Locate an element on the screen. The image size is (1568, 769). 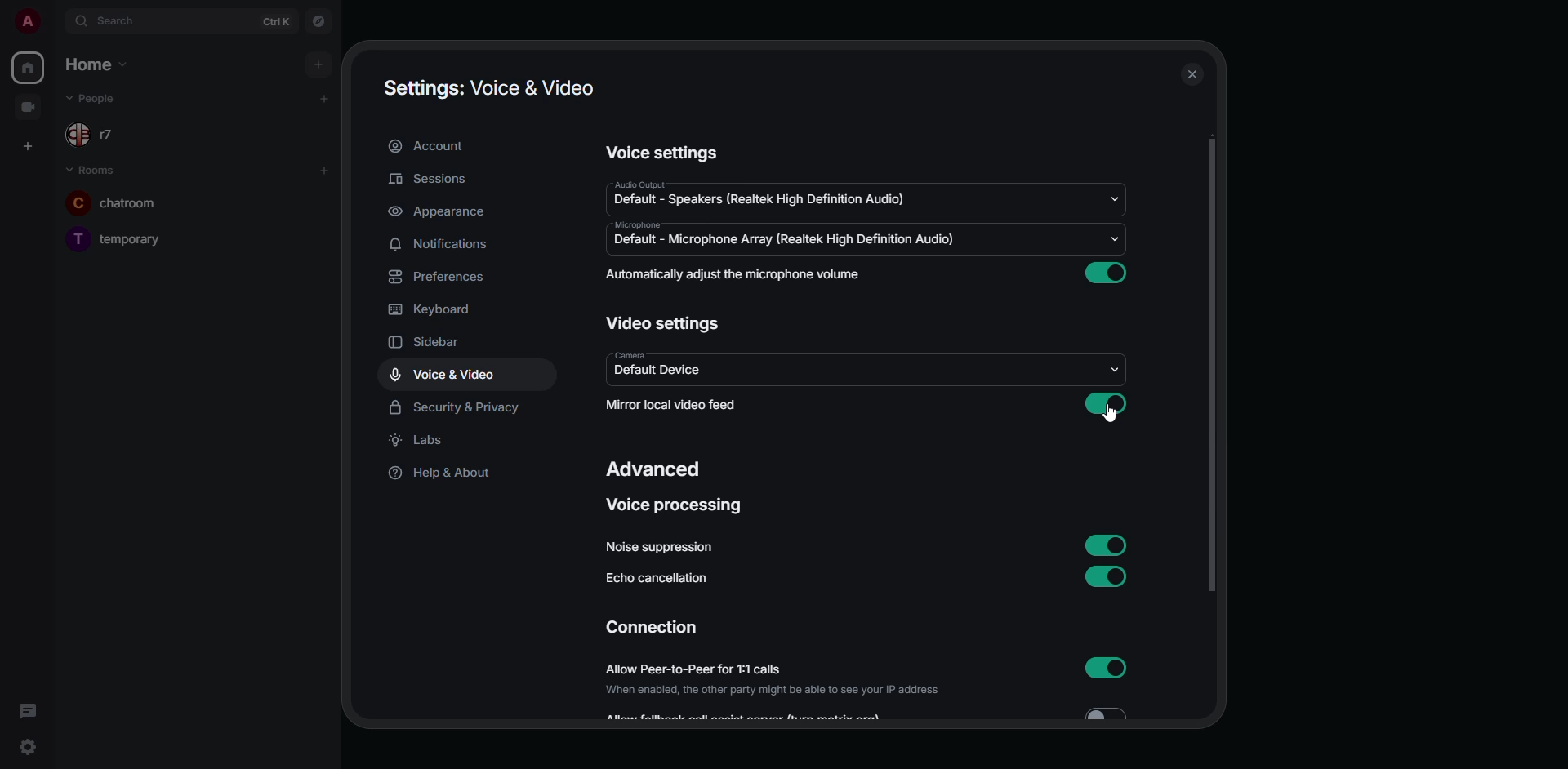
voice & video is located at coordinates (443, 375).